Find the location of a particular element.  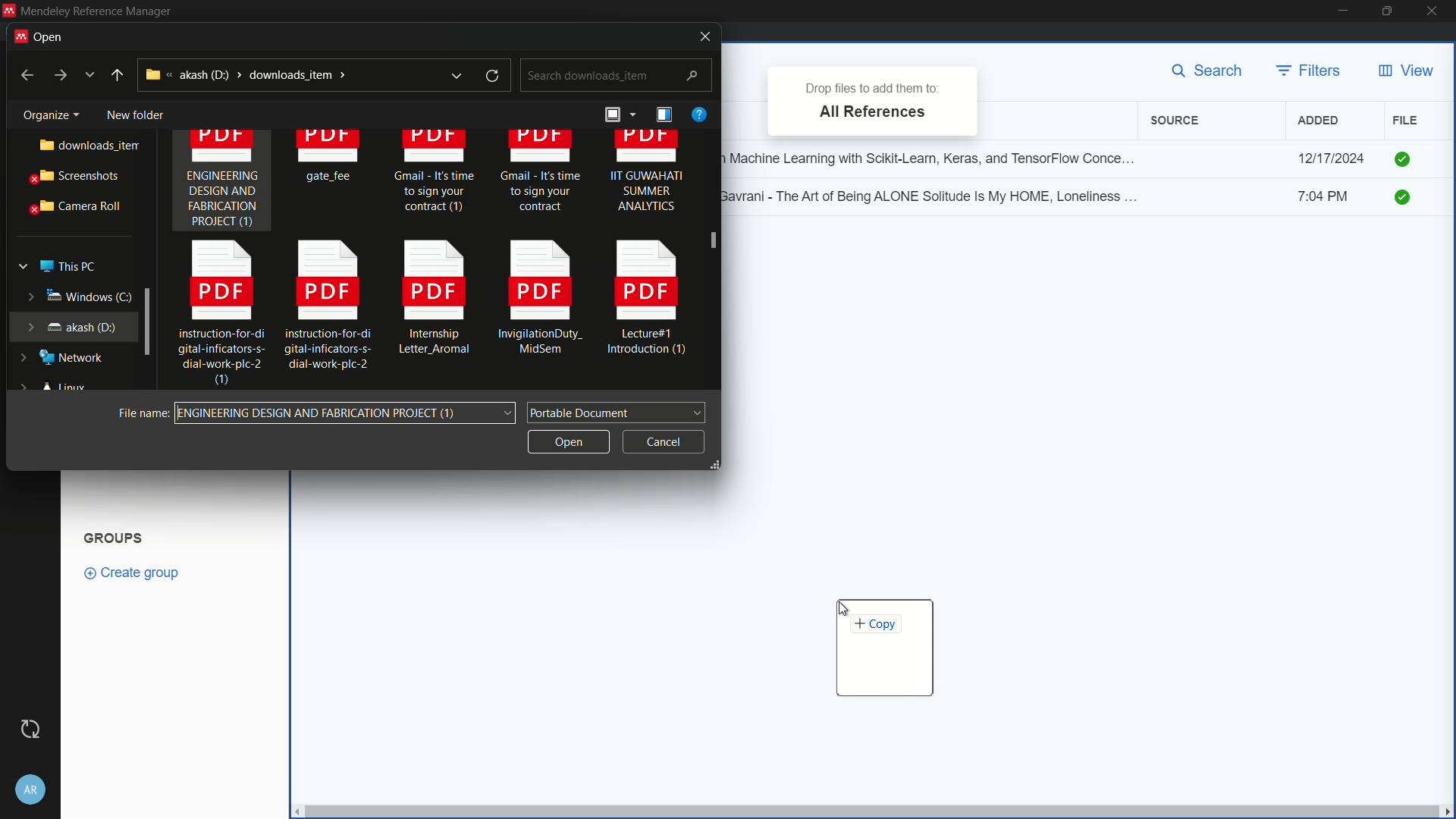

InvigilationDuty_
[EE is located at coordinates (541, 301).